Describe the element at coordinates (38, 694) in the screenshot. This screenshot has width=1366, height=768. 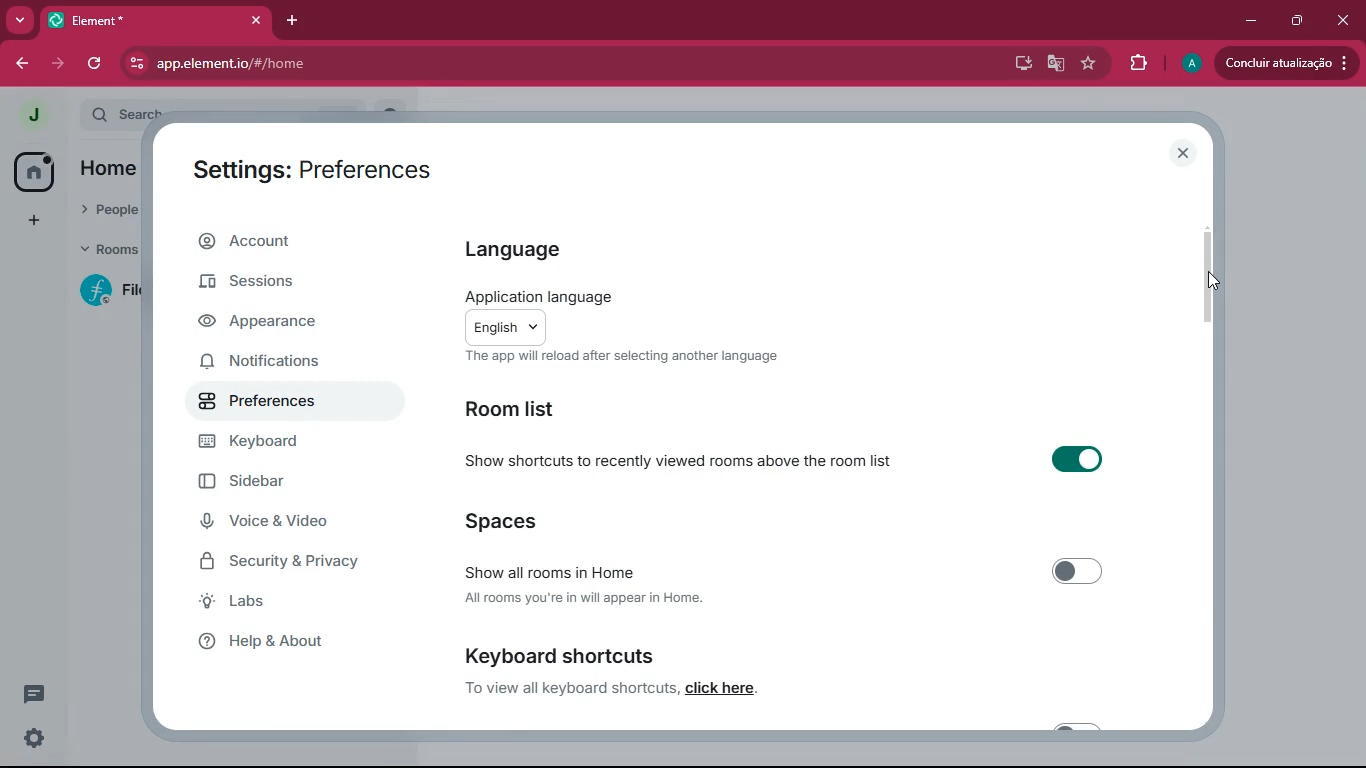
I see `messages` at that location.